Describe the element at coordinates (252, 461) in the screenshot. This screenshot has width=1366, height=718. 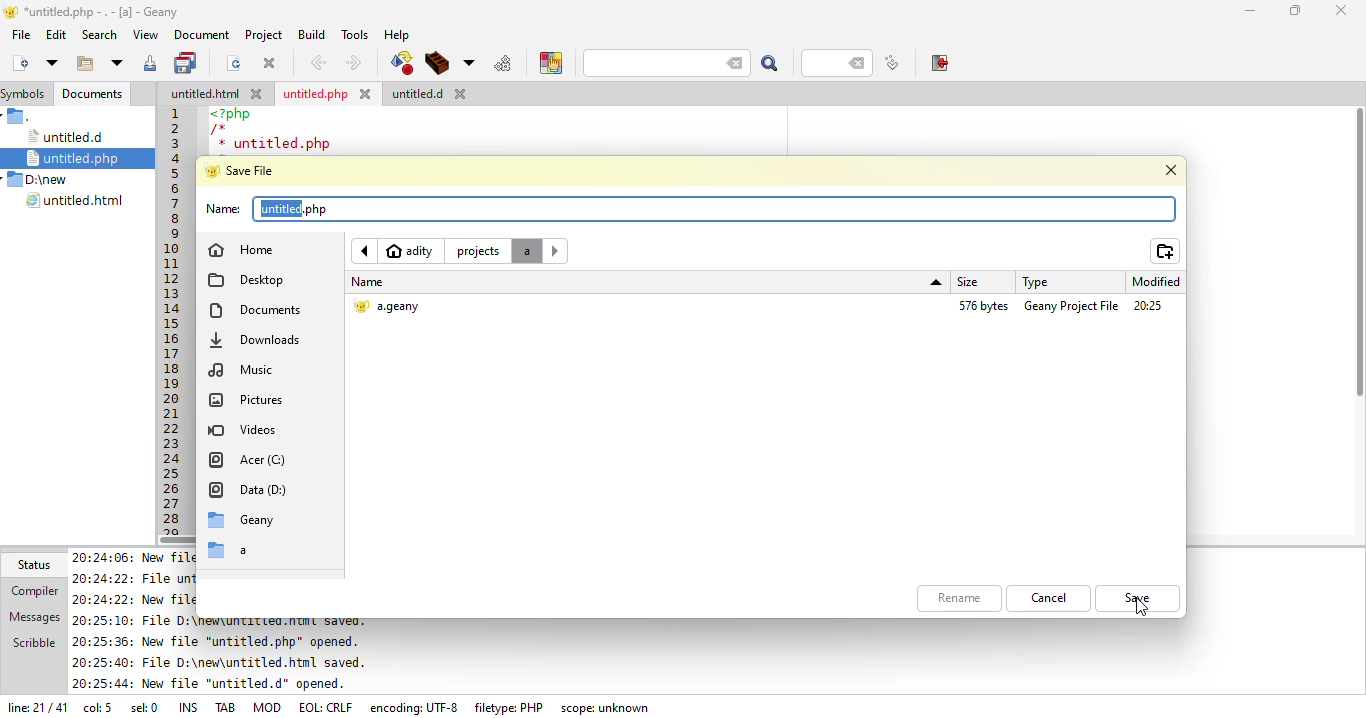
I see `acer` at that location.